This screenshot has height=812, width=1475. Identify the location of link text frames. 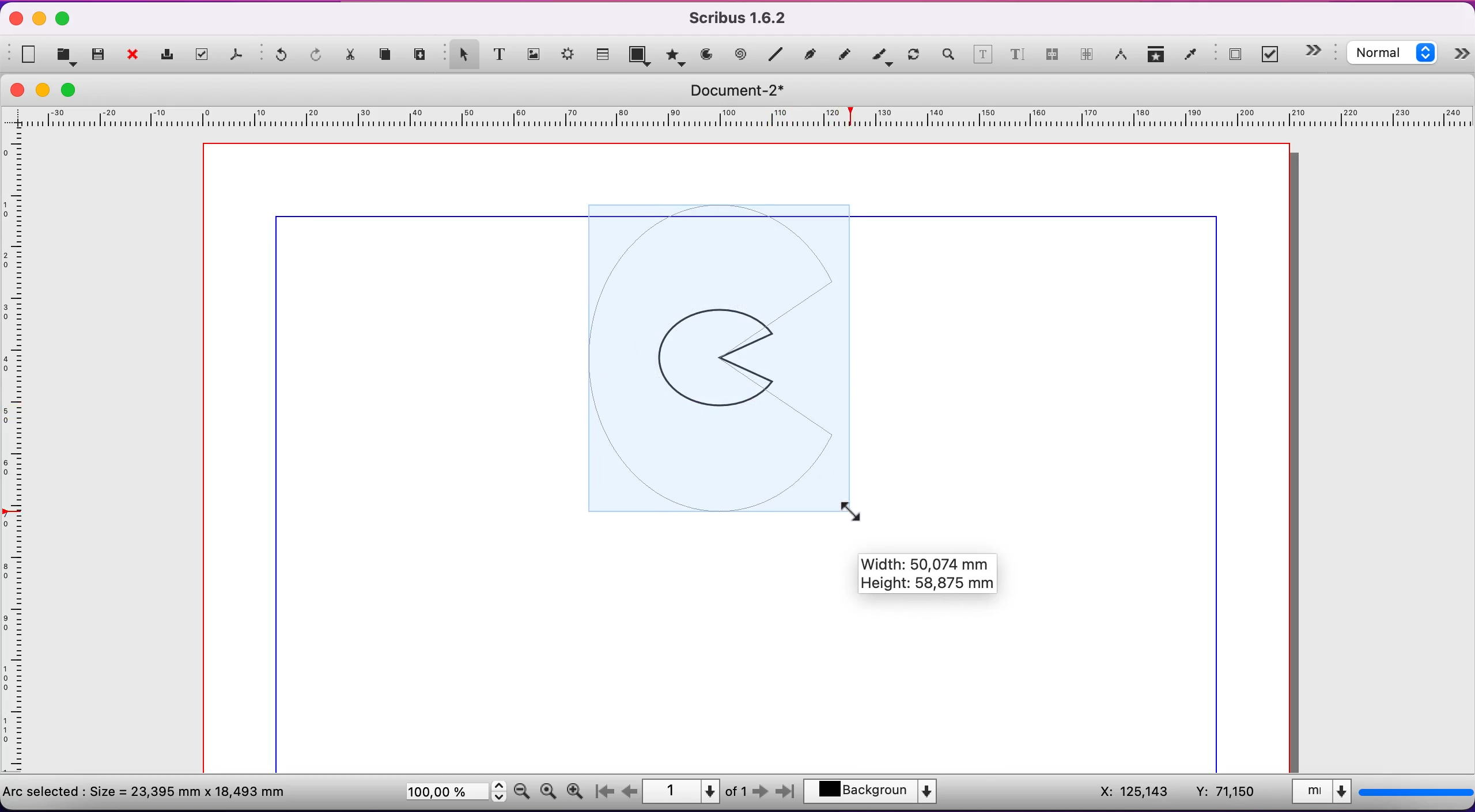
(1052, 58).